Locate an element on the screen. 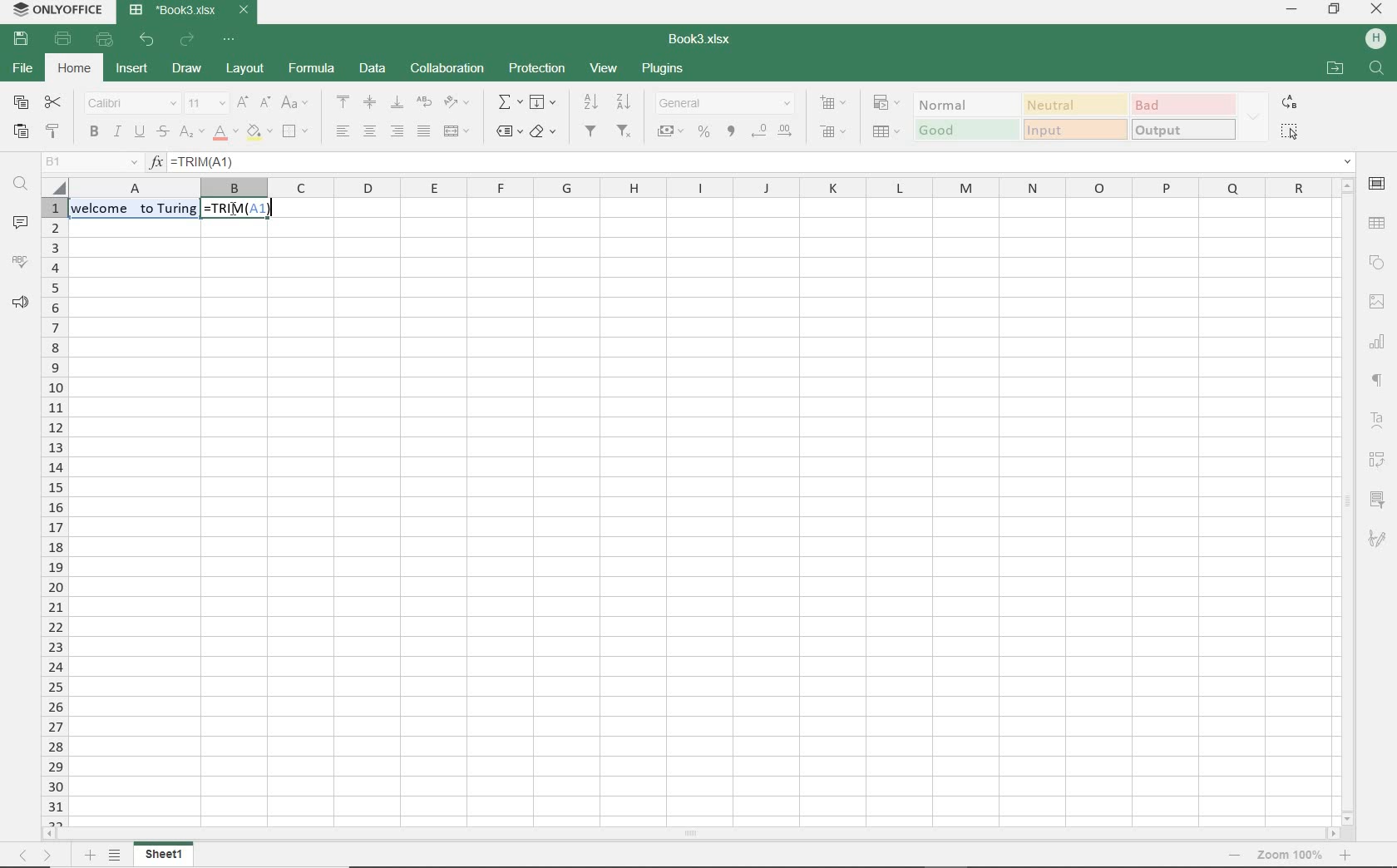 This screenshot has height=868, width=1397. name manager is located at coordinates (91, 162).